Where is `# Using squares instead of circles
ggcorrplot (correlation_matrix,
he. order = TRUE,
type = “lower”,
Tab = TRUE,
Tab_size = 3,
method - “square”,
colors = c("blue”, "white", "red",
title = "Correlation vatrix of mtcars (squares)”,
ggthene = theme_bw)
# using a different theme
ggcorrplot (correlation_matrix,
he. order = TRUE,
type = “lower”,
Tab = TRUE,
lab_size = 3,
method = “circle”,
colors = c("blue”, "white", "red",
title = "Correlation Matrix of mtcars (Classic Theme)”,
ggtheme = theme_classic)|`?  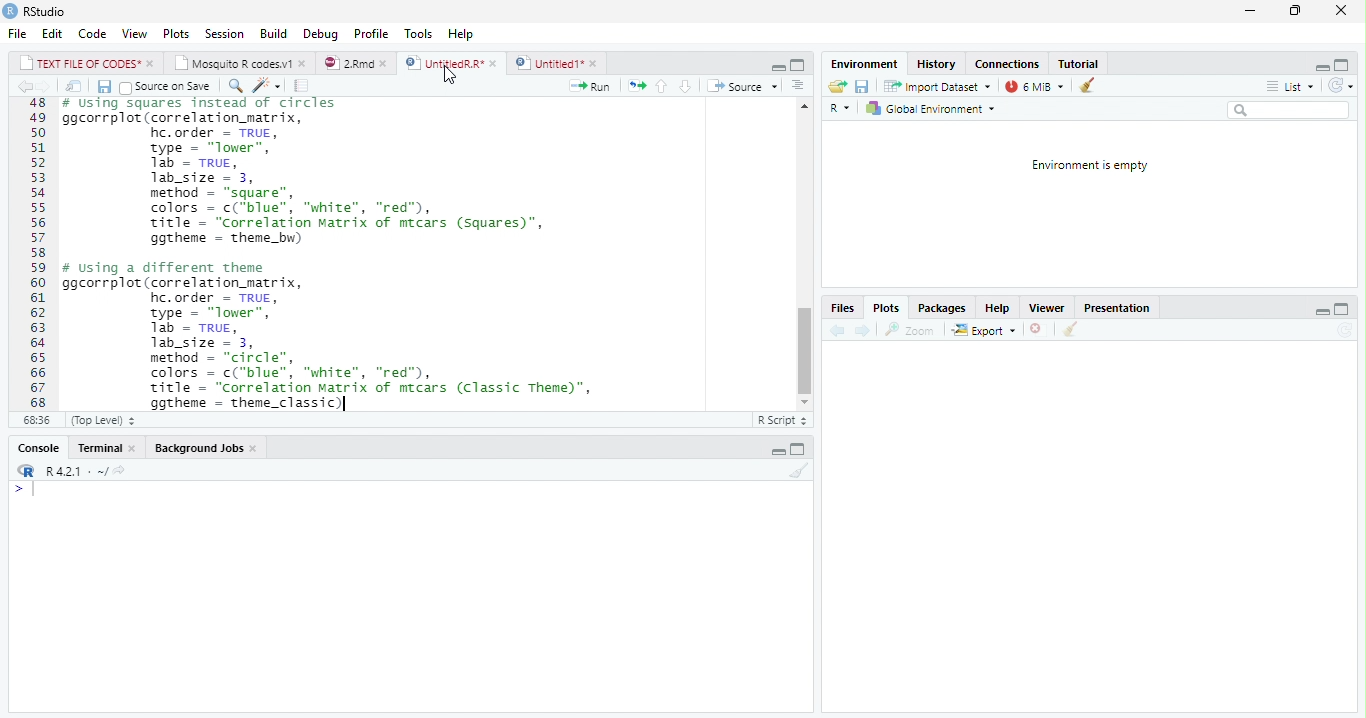
# Using squares instead of circles
ggcorrplot (correlation_matrix,
he. order = TRUE,
type = “lower”,
Tab = TRUE,
Tab_size = 3,
method - “square”,
colors = c("blue”, "white", "red",
title = "Correlation vatrix of mtcars (squares)”,
ggthene = theme_bw)
# using a different theme
ggcorrplot (correlation_matrix,
he. order = TRUE,
type = “lower”,
Tab = TRUE,
lab_size = 3,
method = “circle”,
colors = c("blue”, "white", "red",
title = "Correlation Matrix of mtcars (Classic Theme)”,
ggtheme = theme_classic)| is located at coordinates (412, 254).